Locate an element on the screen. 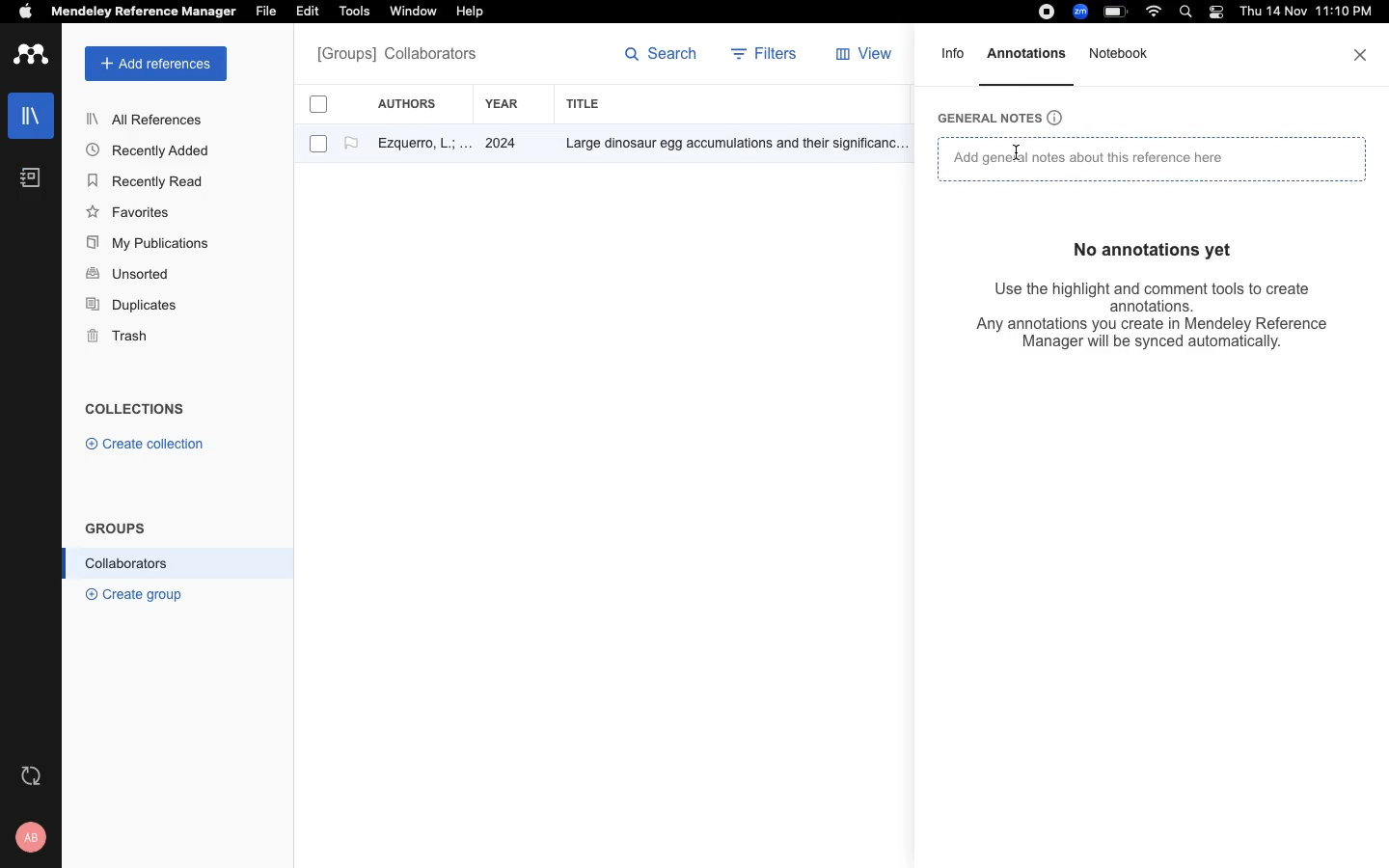 The height and width of the screenshot is (868, 1389). notebook is located at coordinates (31, 177).